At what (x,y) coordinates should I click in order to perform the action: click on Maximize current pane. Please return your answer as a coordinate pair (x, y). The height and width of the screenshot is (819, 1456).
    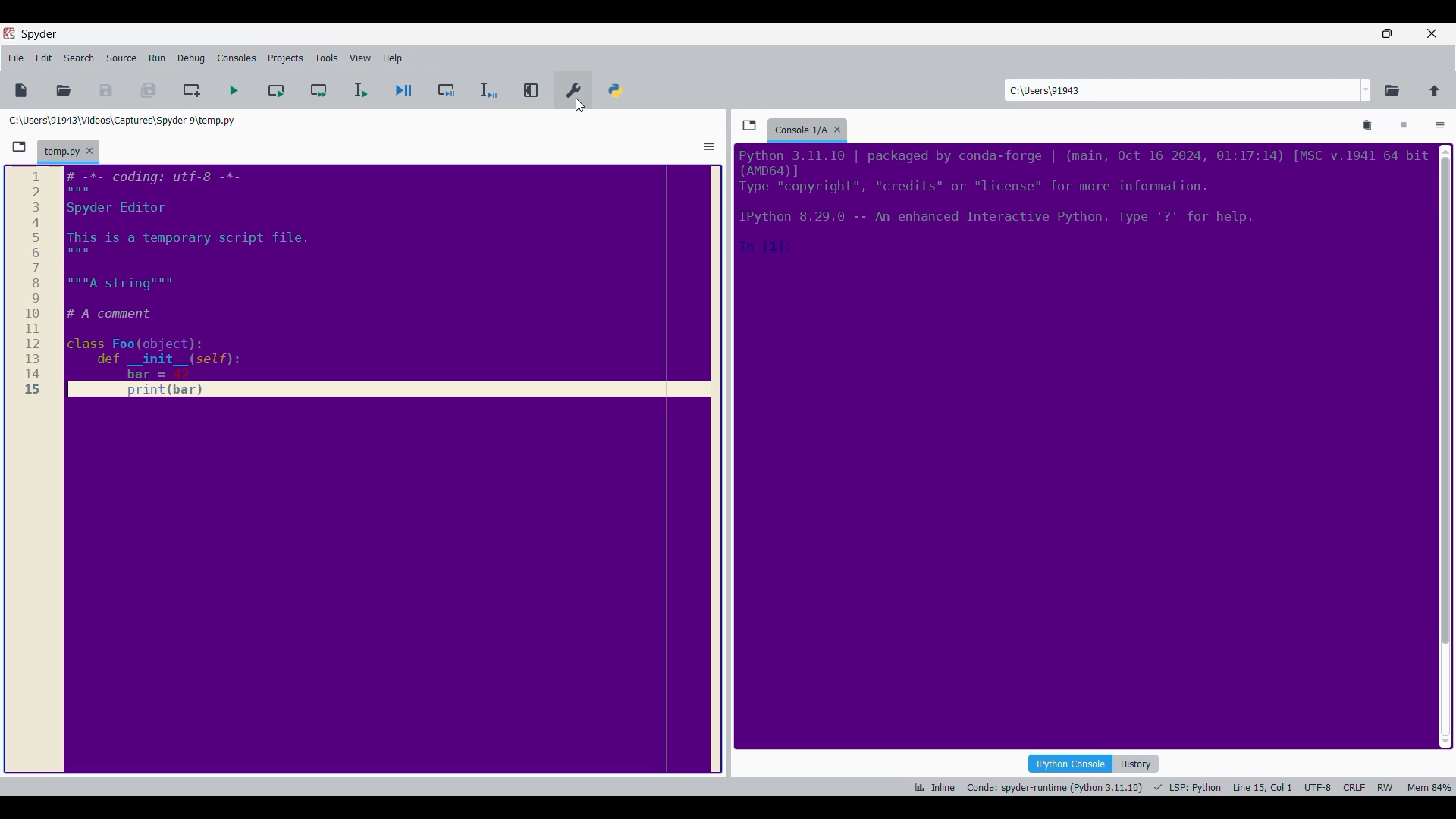
    Looking at the image, I should click on (532, 90).